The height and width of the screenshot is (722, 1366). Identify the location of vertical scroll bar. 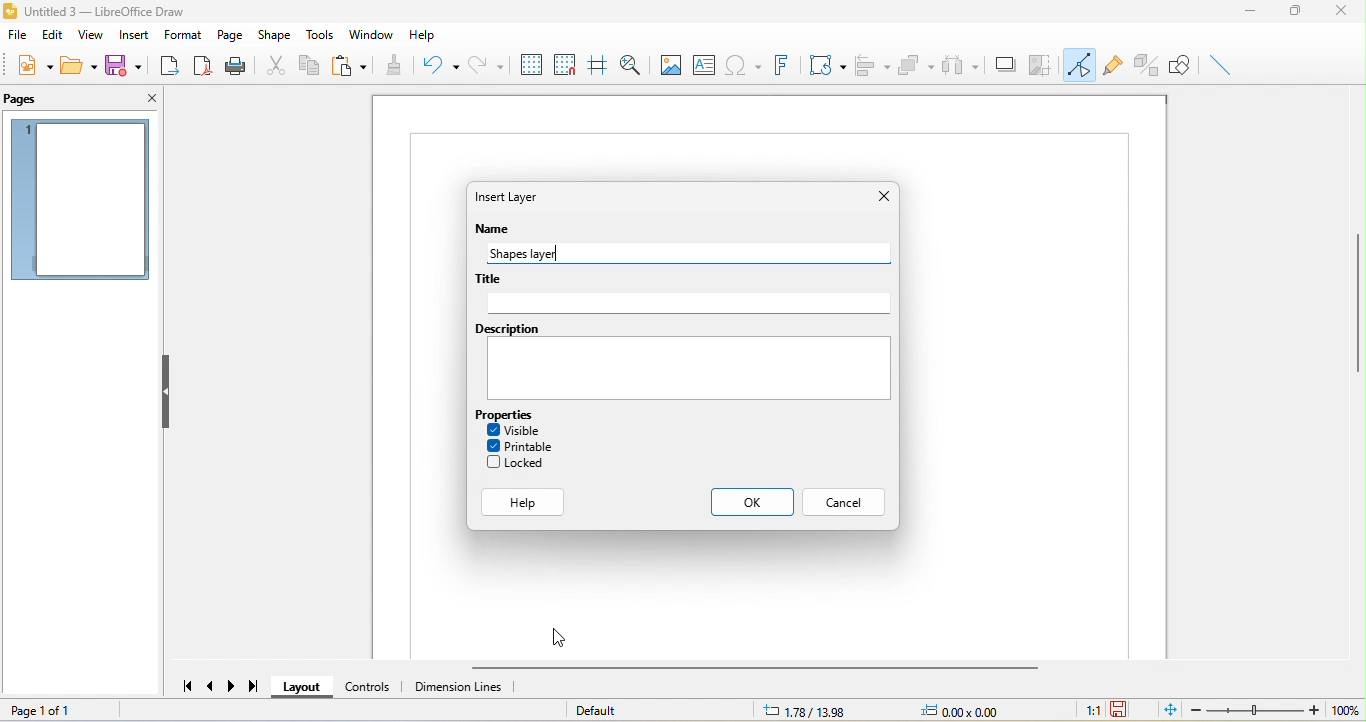
(1353, 302).